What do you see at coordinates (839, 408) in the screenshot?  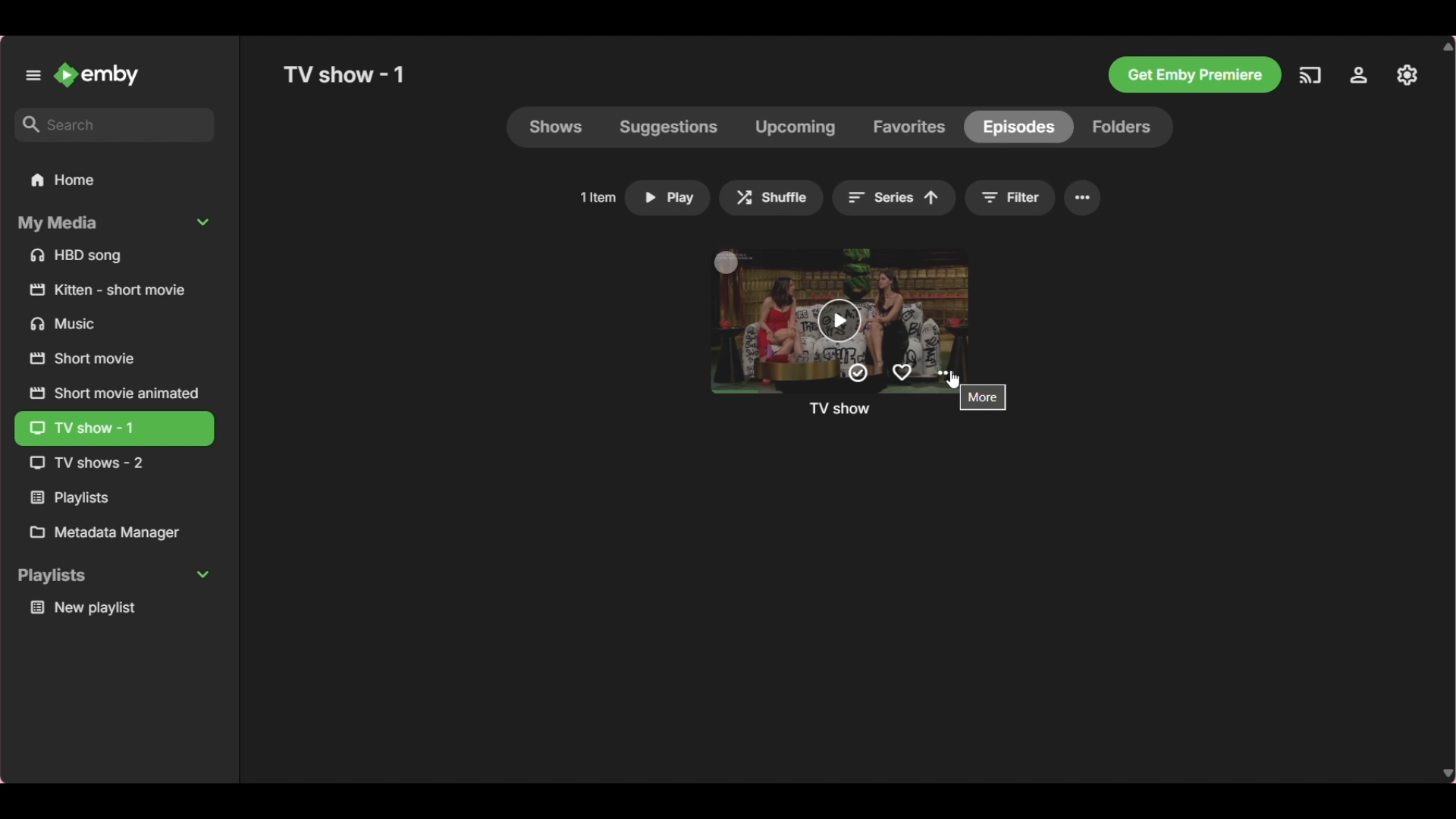 I see `Episode title` at bounding box center [839, 408].